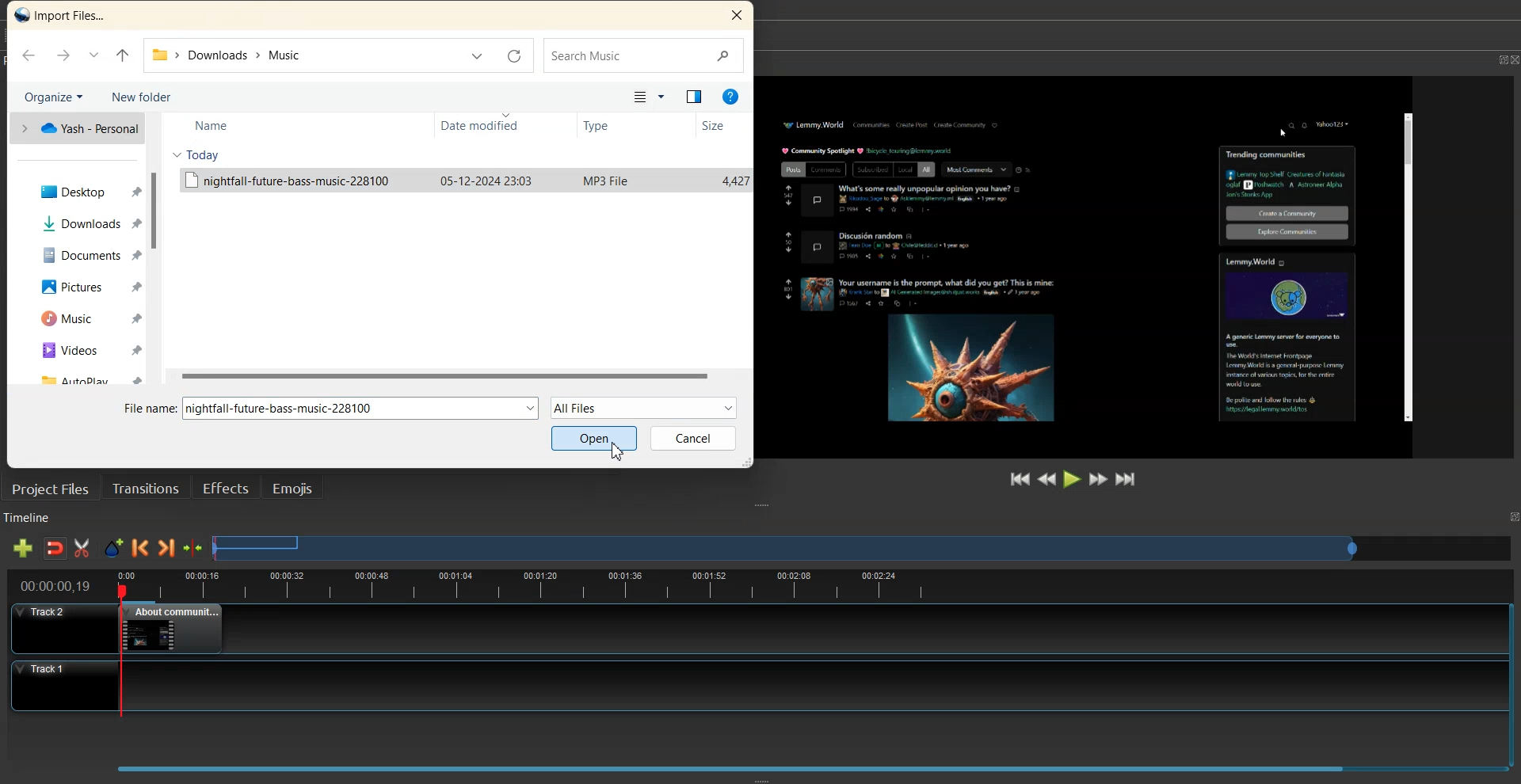  Describe the element at coordinates (156, 249) in the screenshot. I see `Vertical Scrollbar` at that location.